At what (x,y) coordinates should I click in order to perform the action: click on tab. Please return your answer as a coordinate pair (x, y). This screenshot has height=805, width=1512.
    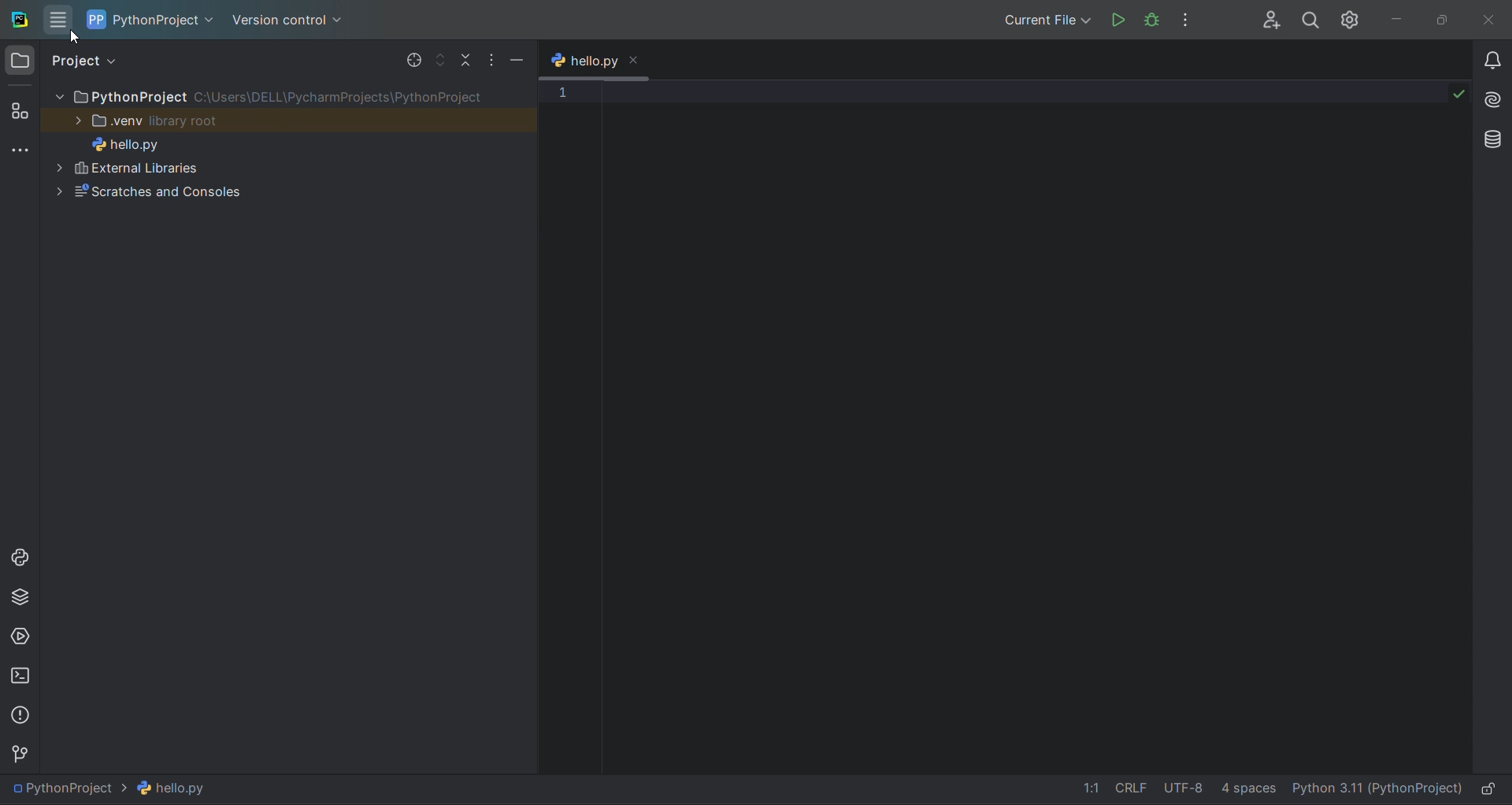
    Looking at the image, I should click on (582, 61).